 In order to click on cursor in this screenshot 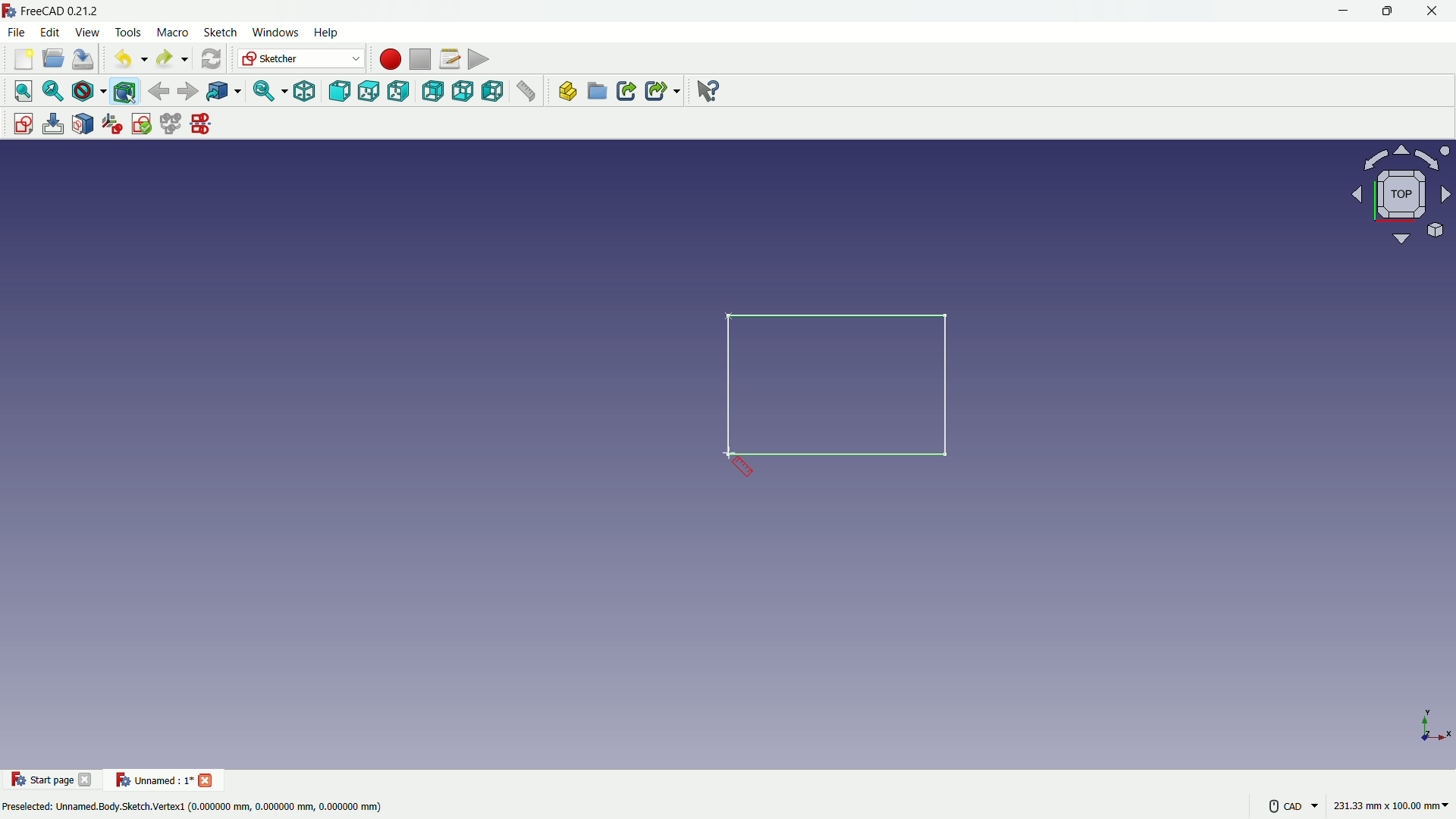, I will do `click(743, 467)`.